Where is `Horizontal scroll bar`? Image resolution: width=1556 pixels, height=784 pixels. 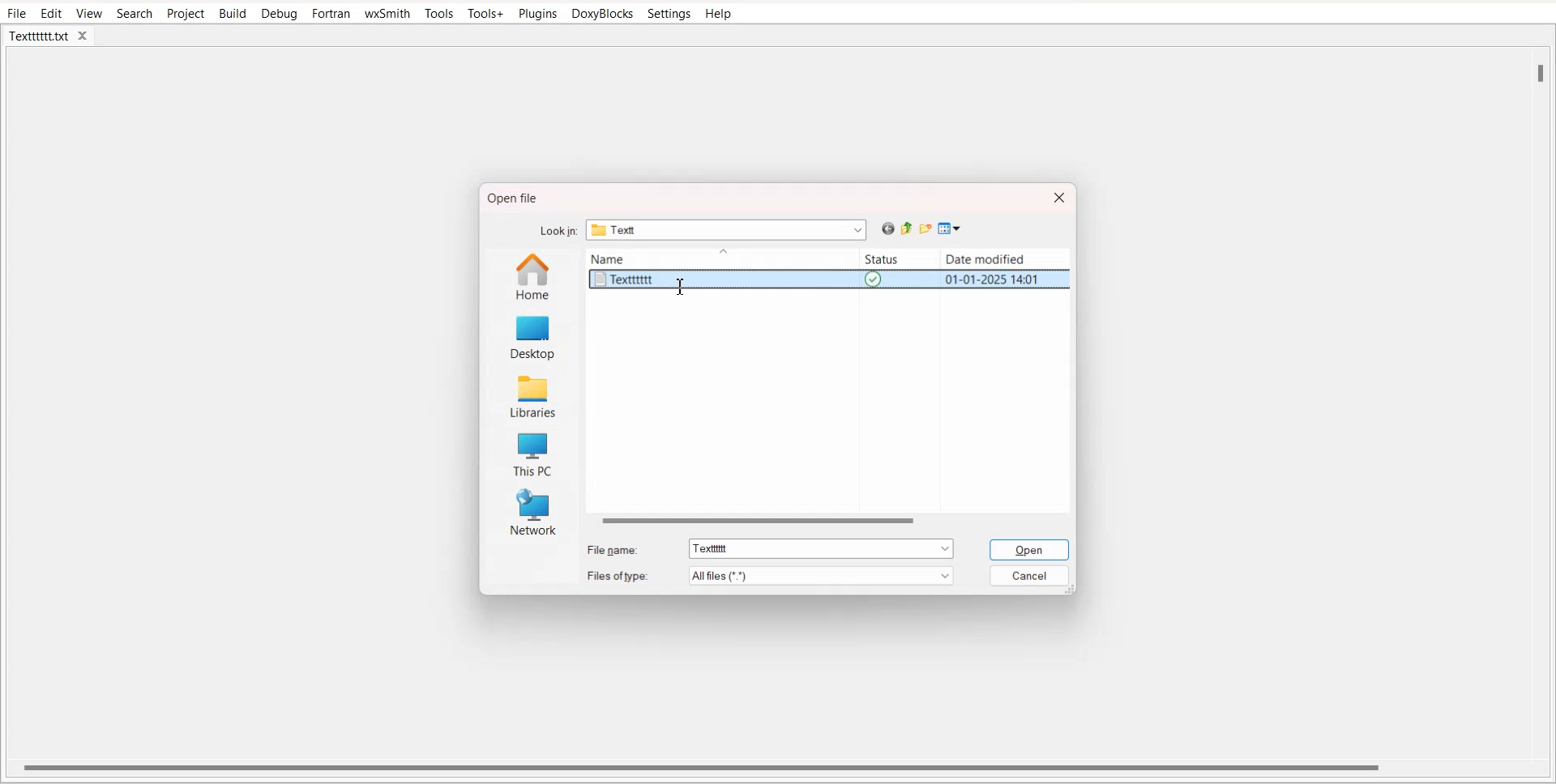 Horizontal scroll bar is located at coordinates (778, 767).